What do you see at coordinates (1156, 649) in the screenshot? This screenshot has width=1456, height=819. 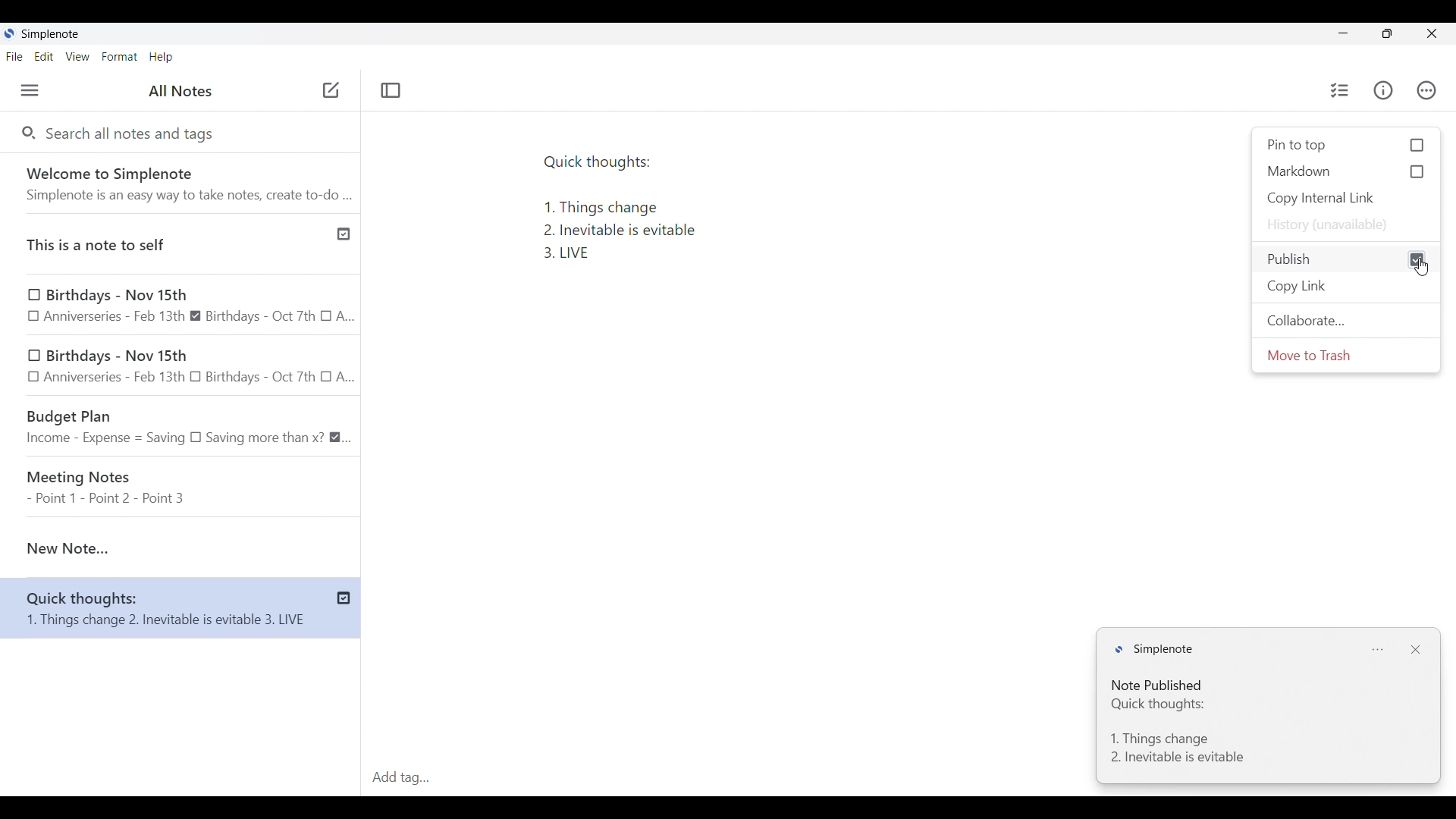 I see `Logo and name of software` at bounding box center [1156, 649].